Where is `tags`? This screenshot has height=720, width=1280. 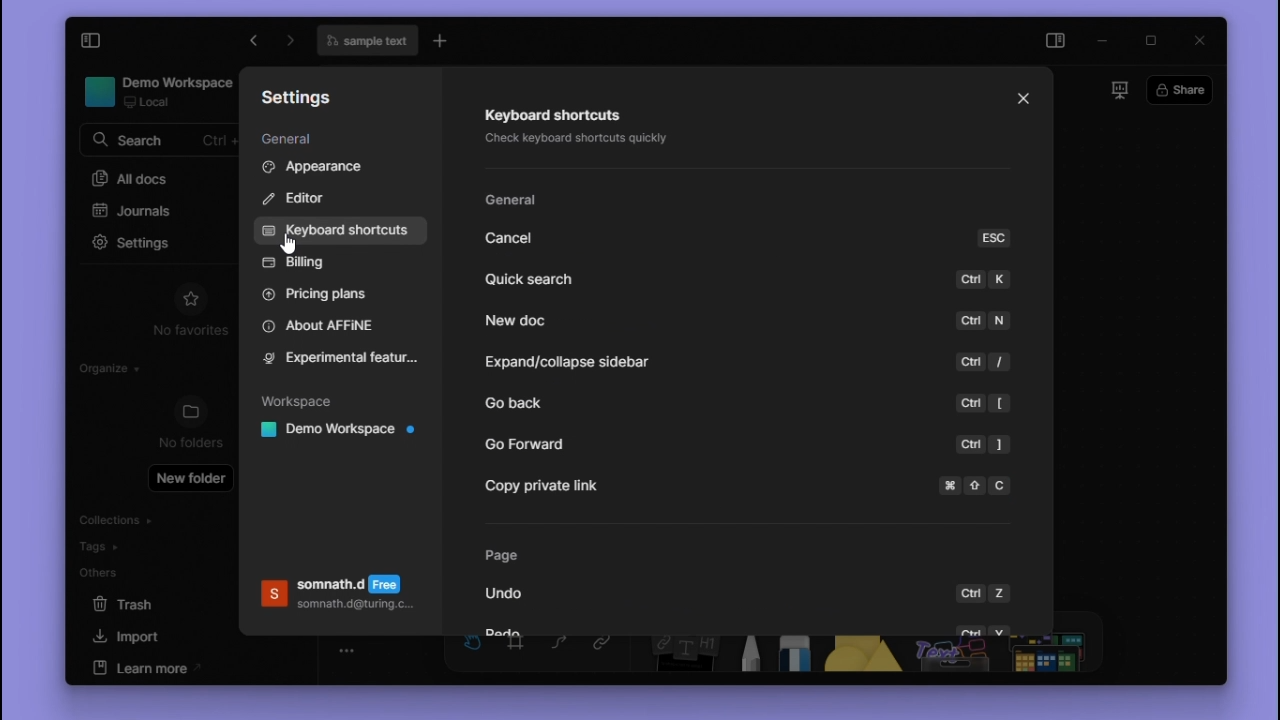 tags is located at coordinates (114, 545).